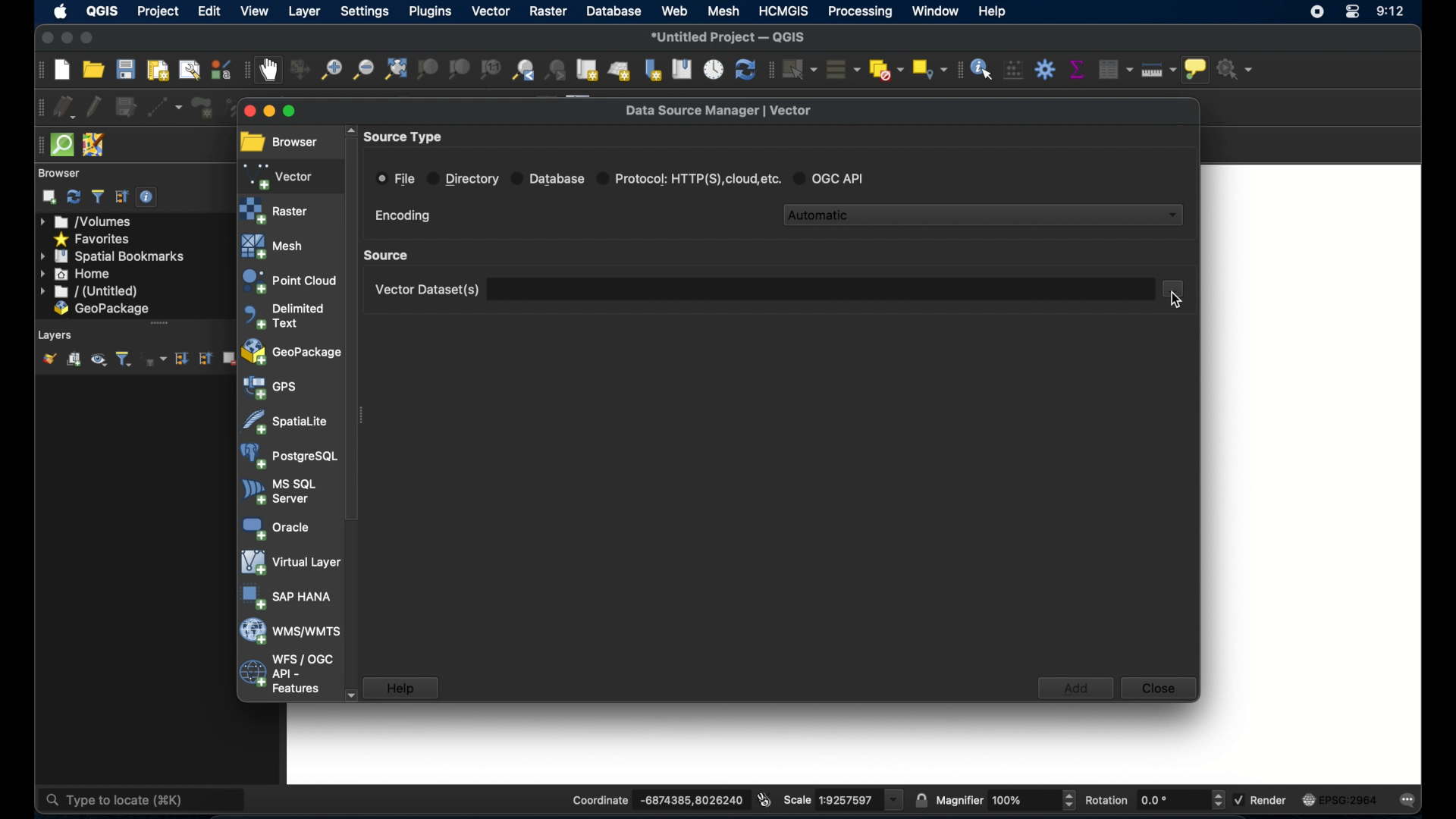  Describe the element at coordinates (460, 70) in the screenshot. I see `zoom to layer` at that location.